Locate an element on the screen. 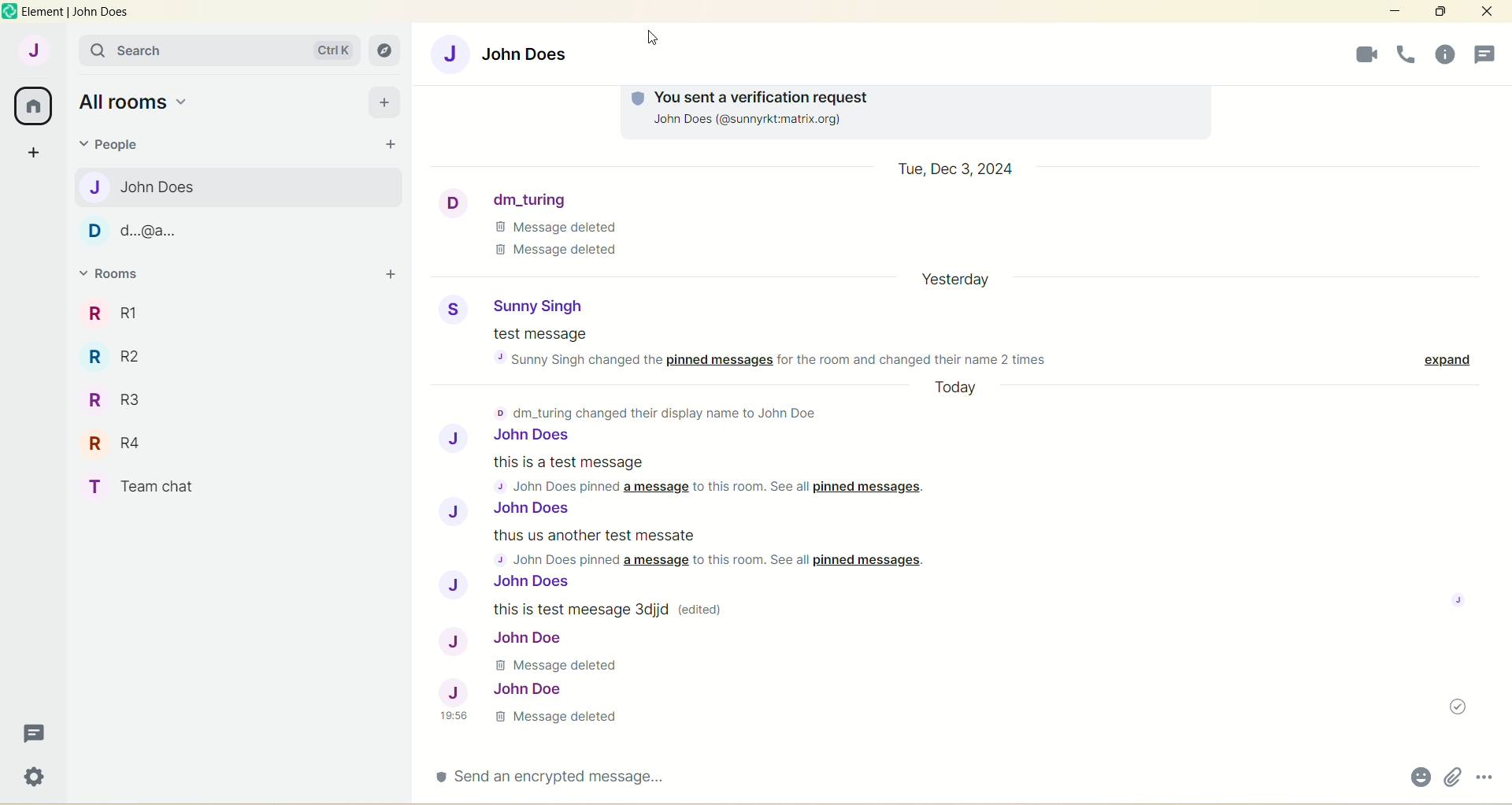 This screenshot has height=805, width=1512. rooms is located at coordinates (114, 275).